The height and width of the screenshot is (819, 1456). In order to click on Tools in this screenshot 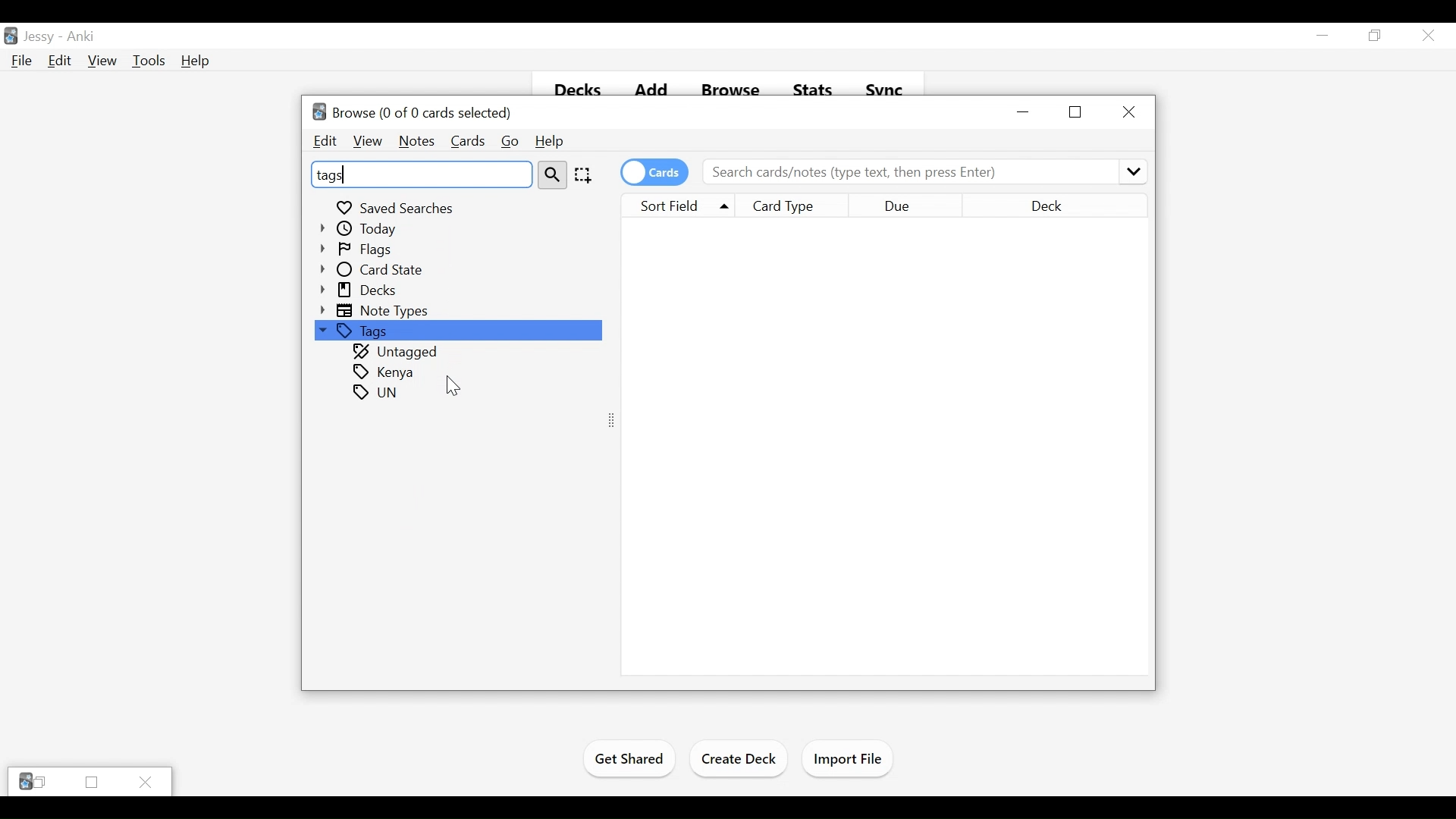, I will do `click(149, 61)`.